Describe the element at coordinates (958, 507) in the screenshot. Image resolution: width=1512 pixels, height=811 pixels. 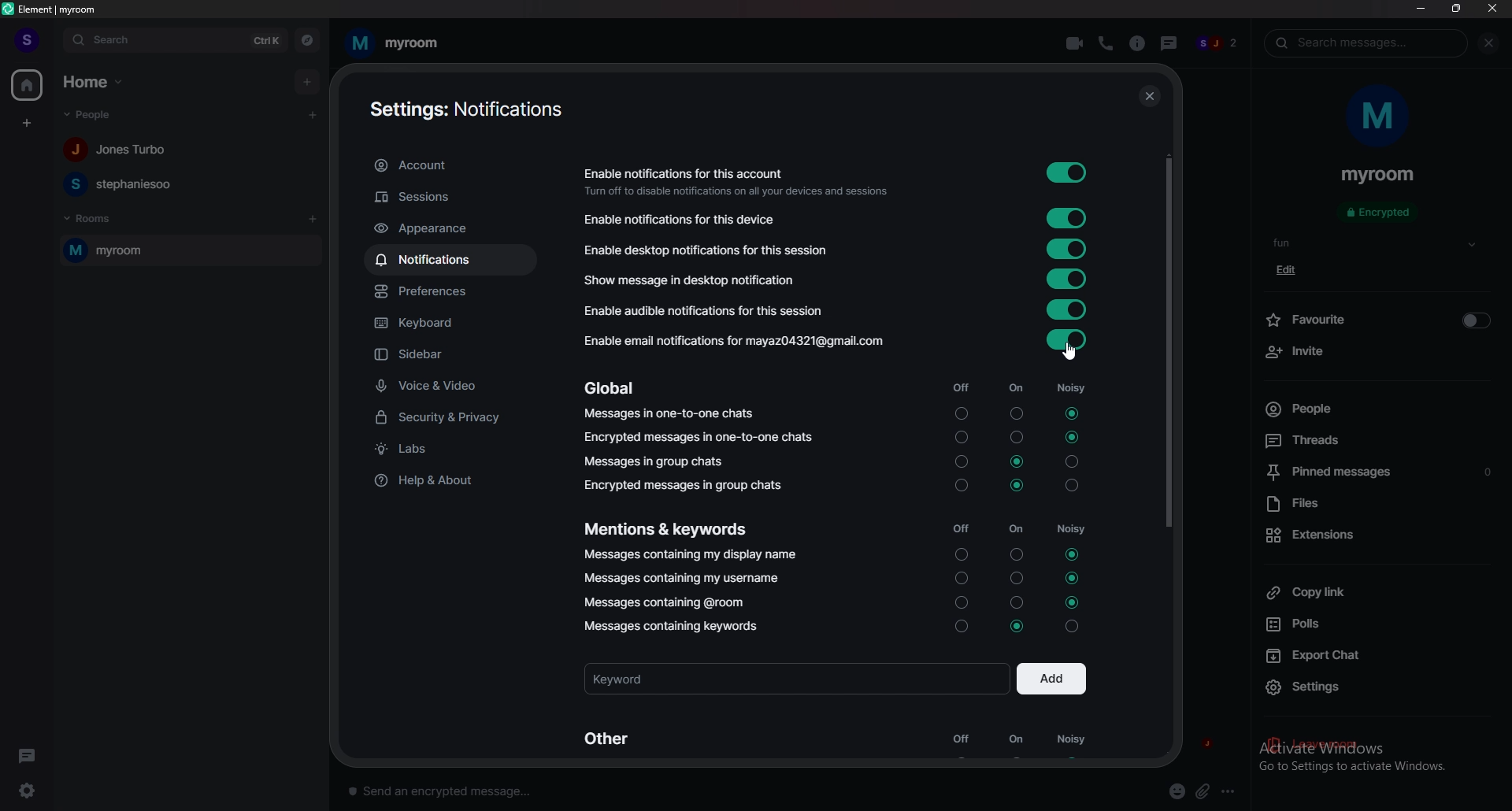
I see `off` at that location.